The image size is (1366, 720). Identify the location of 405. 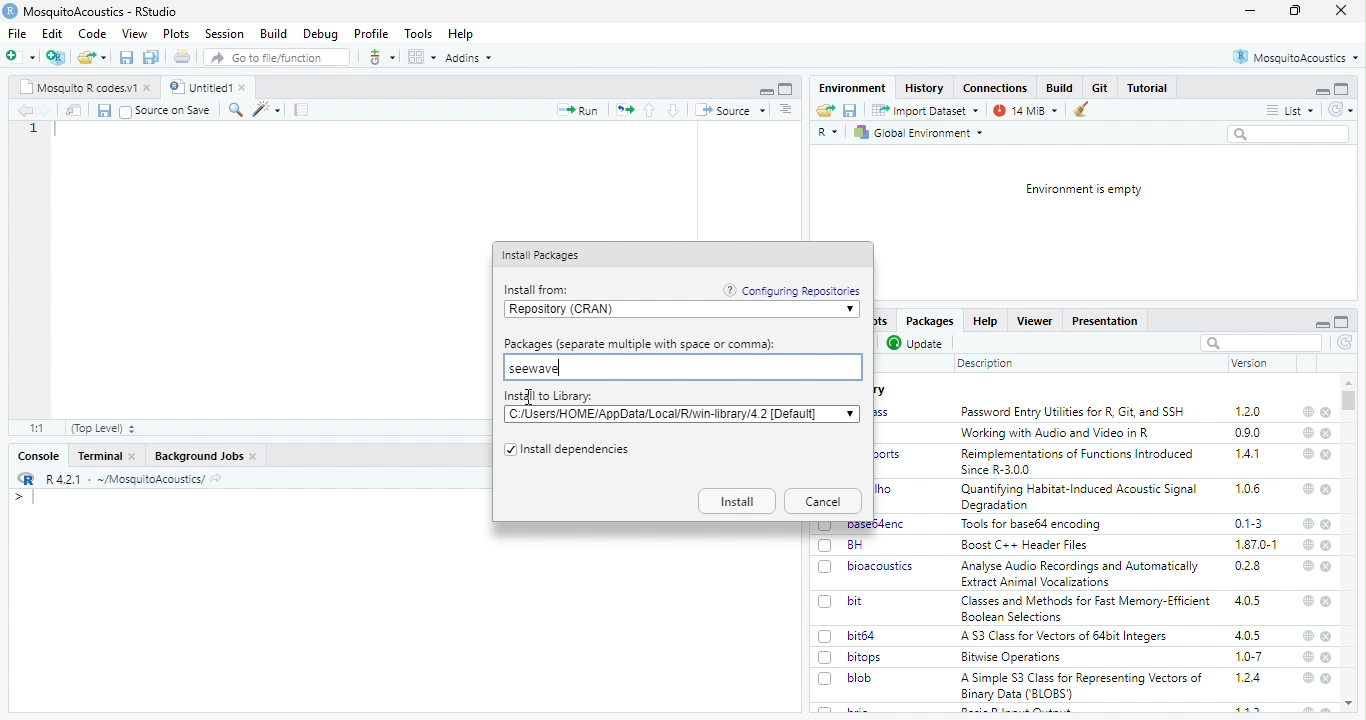
(1249, 636).